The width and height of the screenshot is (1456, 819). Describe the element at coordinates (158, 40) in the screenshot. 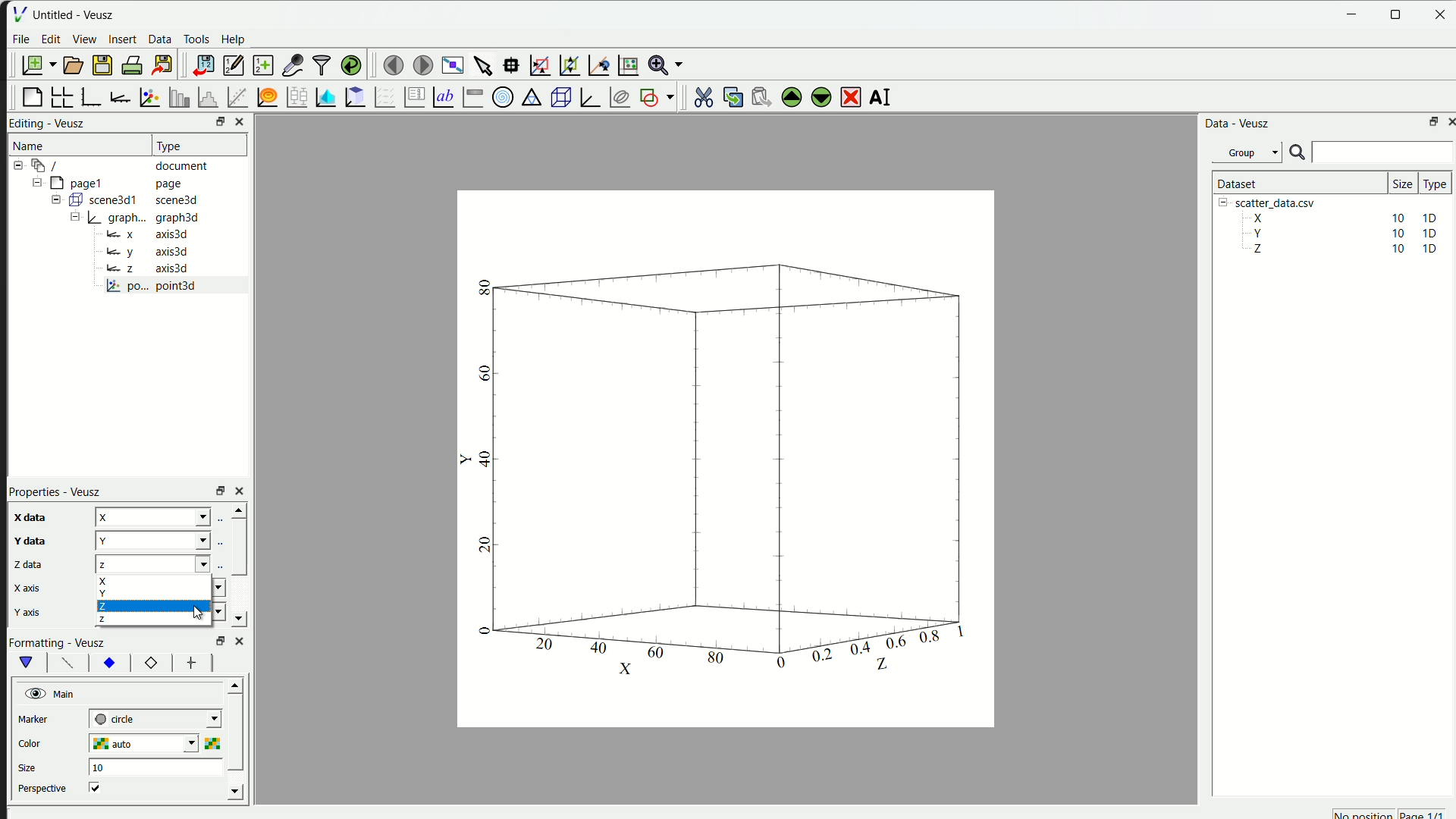

I see `Data` at that location.